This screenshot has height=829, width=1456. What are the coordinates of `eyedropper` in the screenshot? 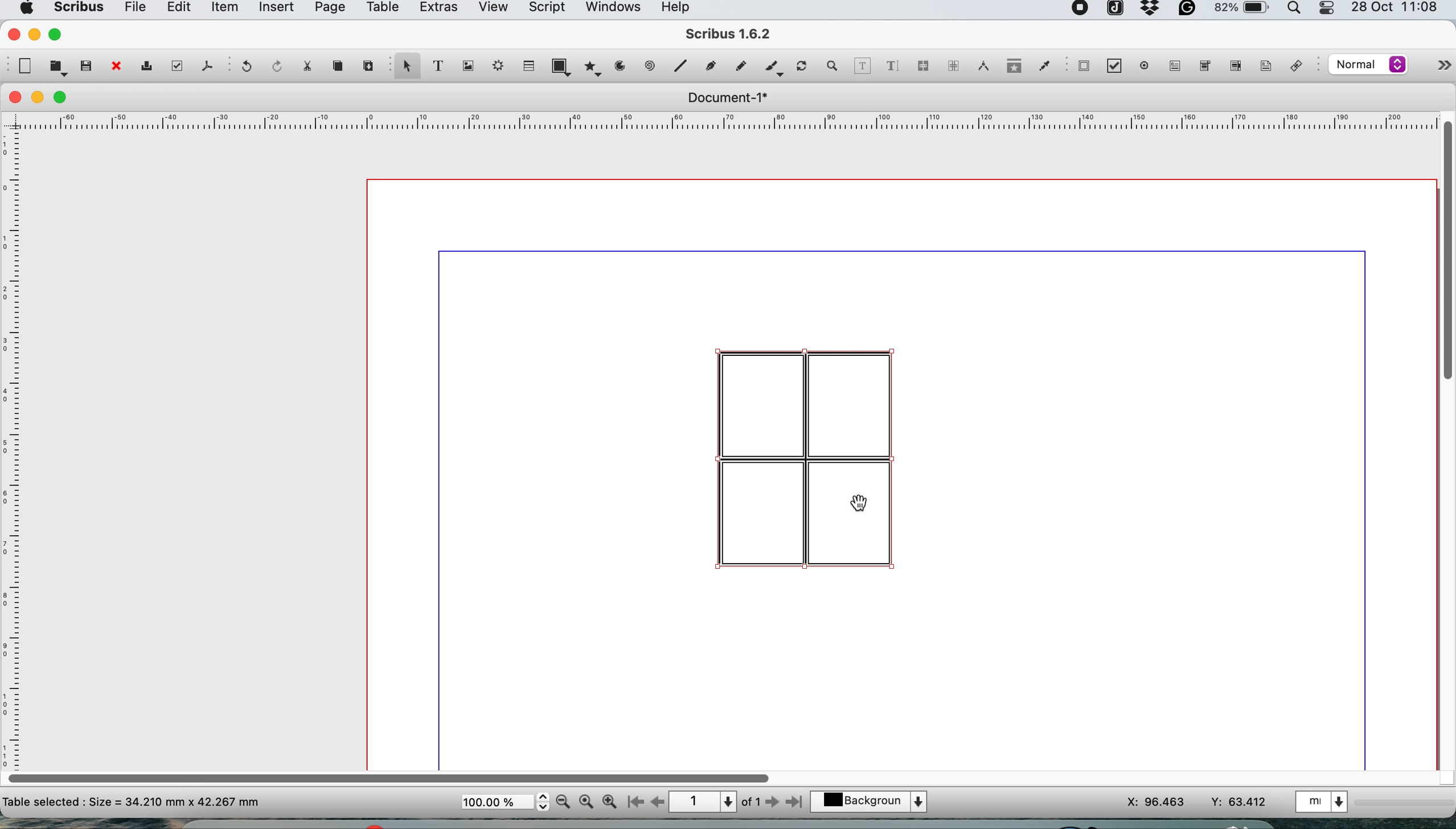 It's located at (1044, 68).